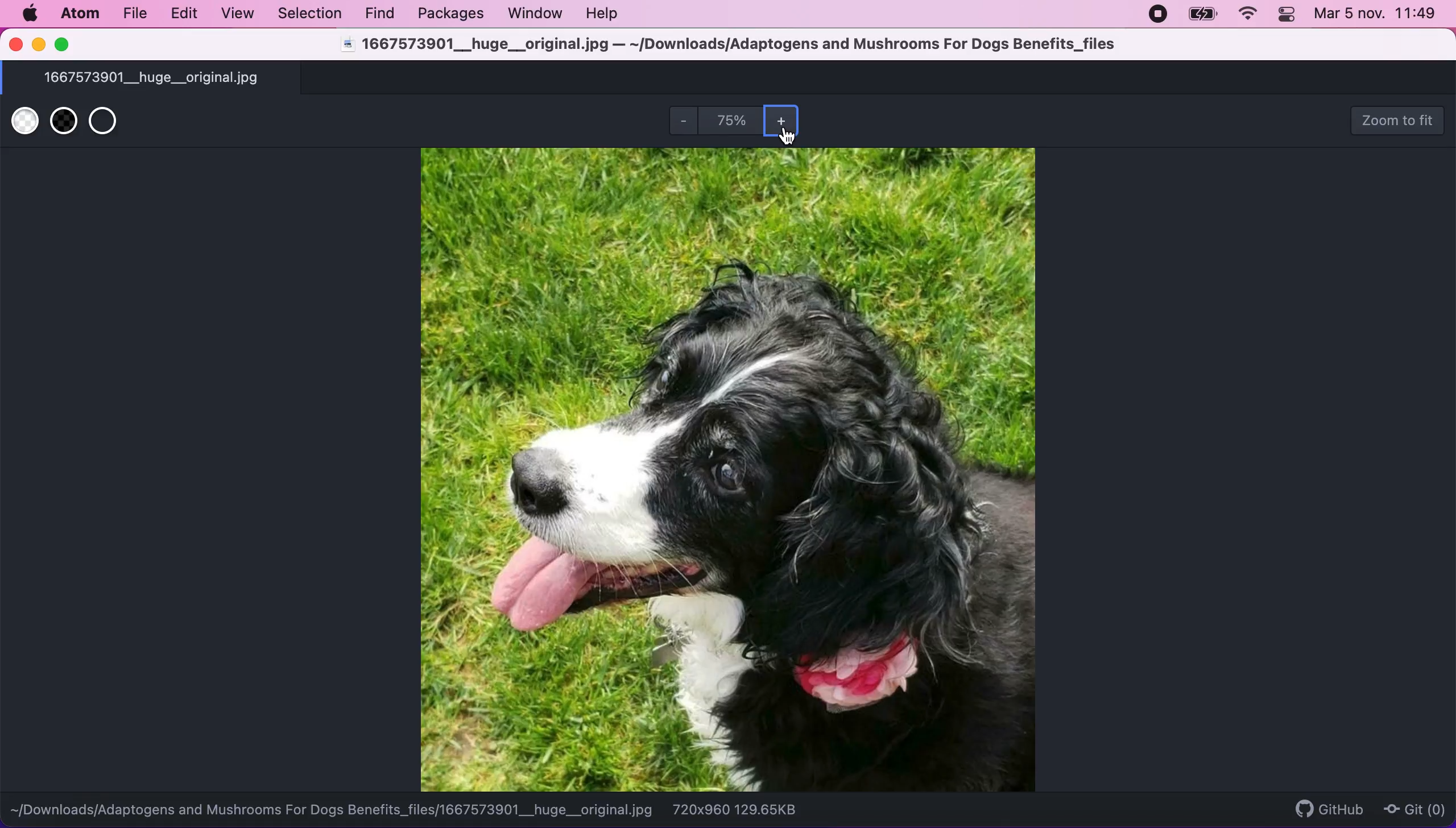  I want to click on mar 5 nov, 11:49, so click(1376, 16).